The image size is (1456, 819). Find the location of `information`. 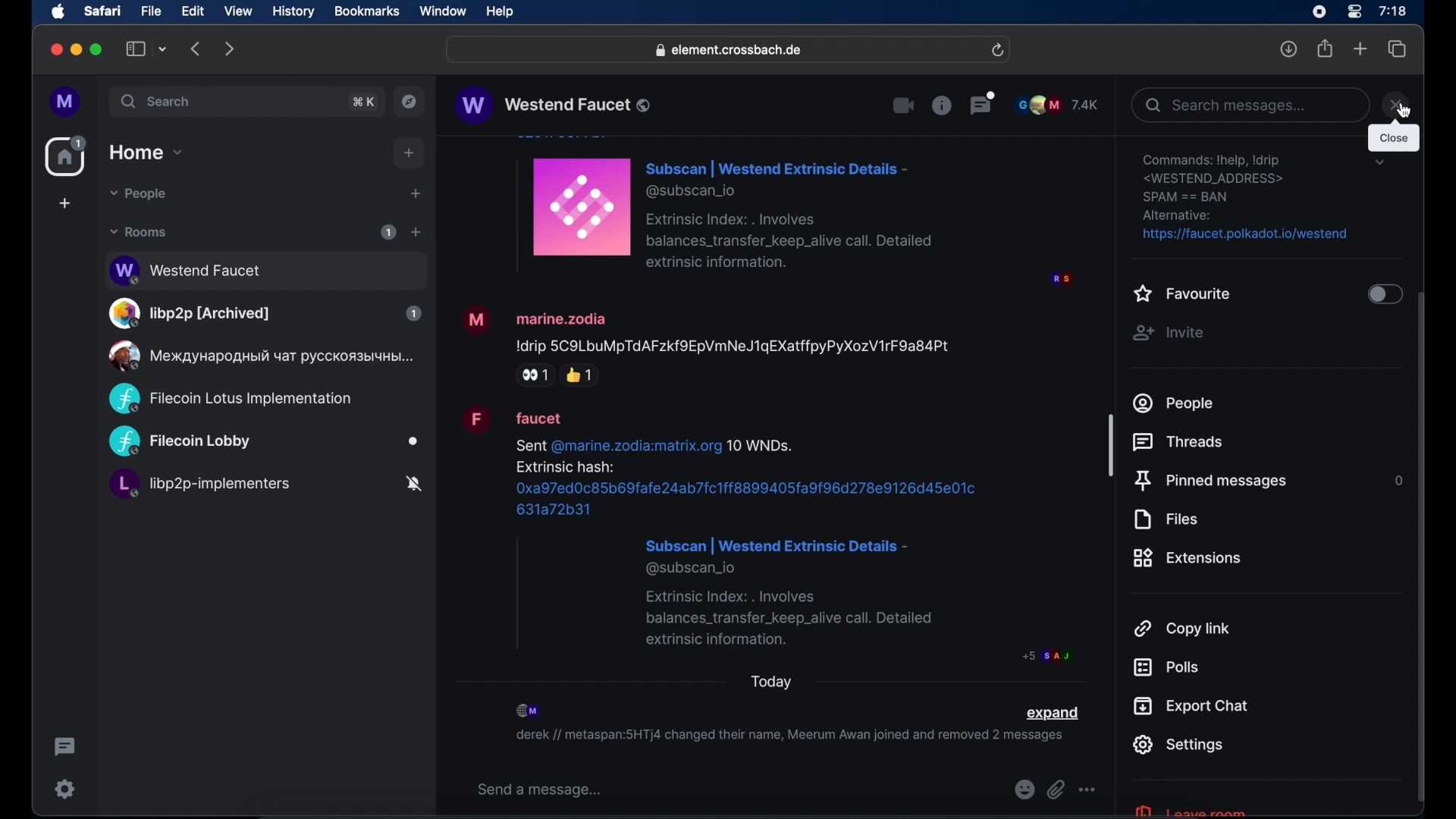

information is located at coordinates (941, 105).